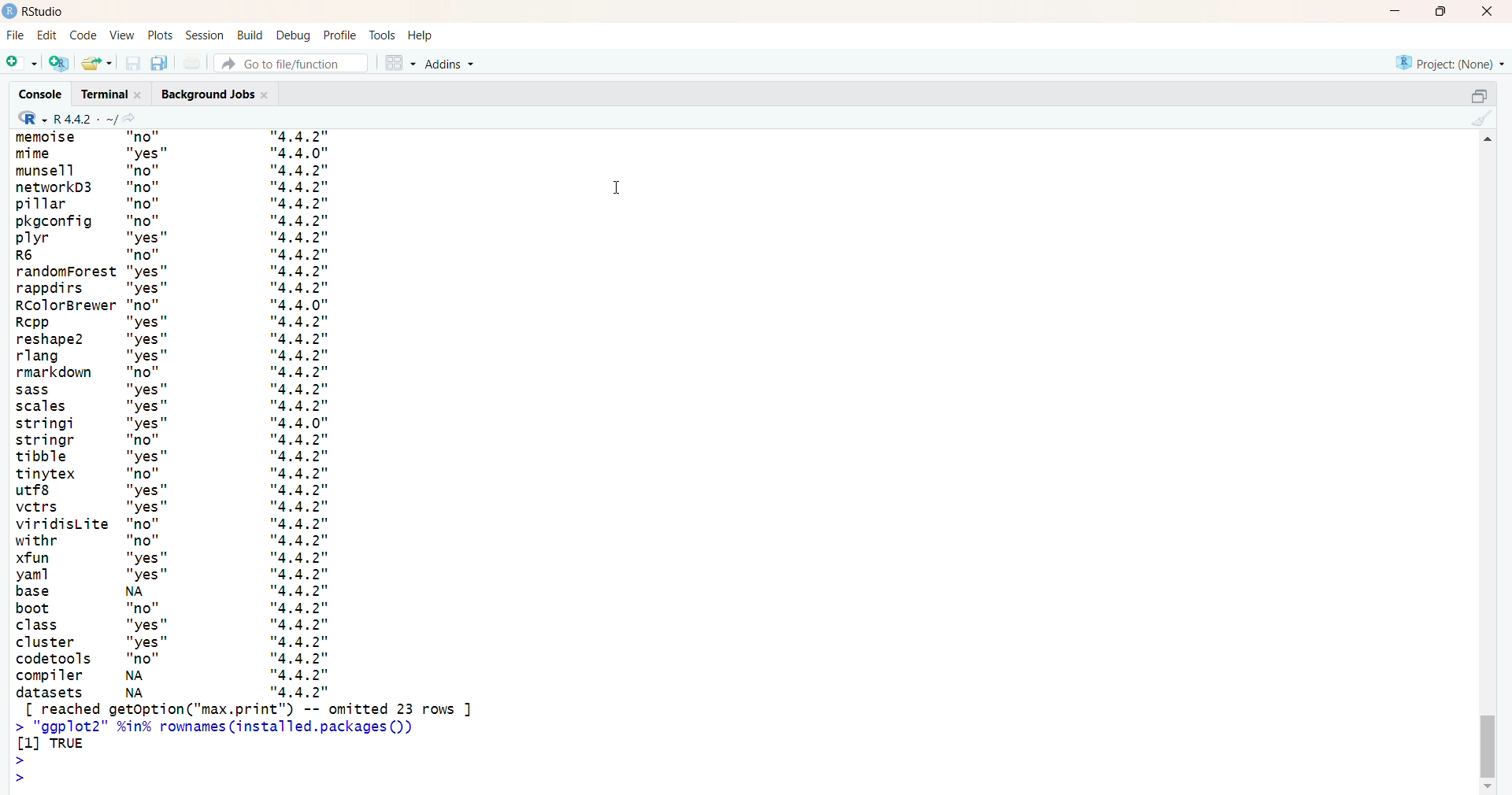  Describe the element at coordinates (617, 187) in the screenshot. I see `cursor` at that location.